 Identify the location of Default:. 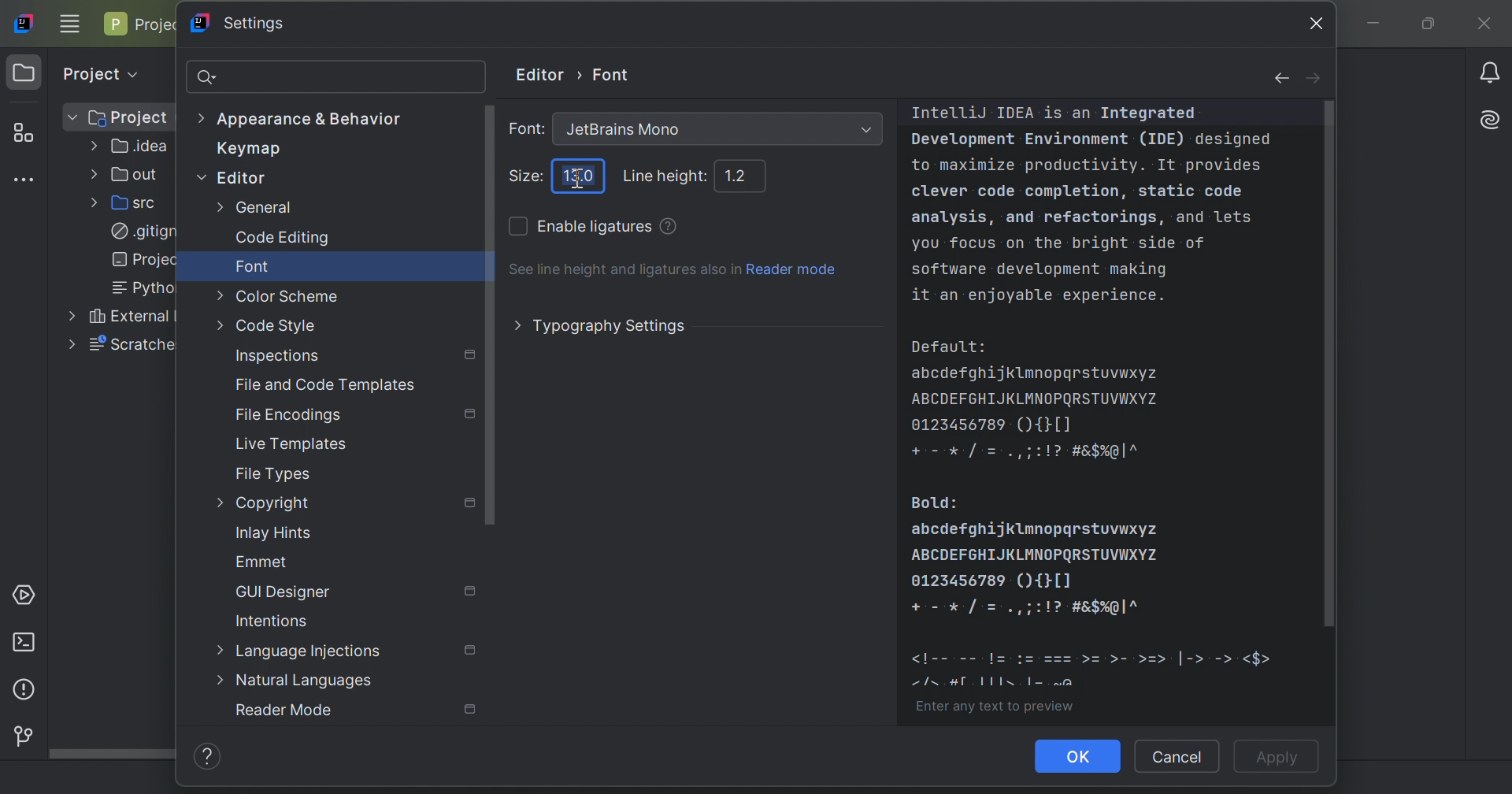
(949, 347).